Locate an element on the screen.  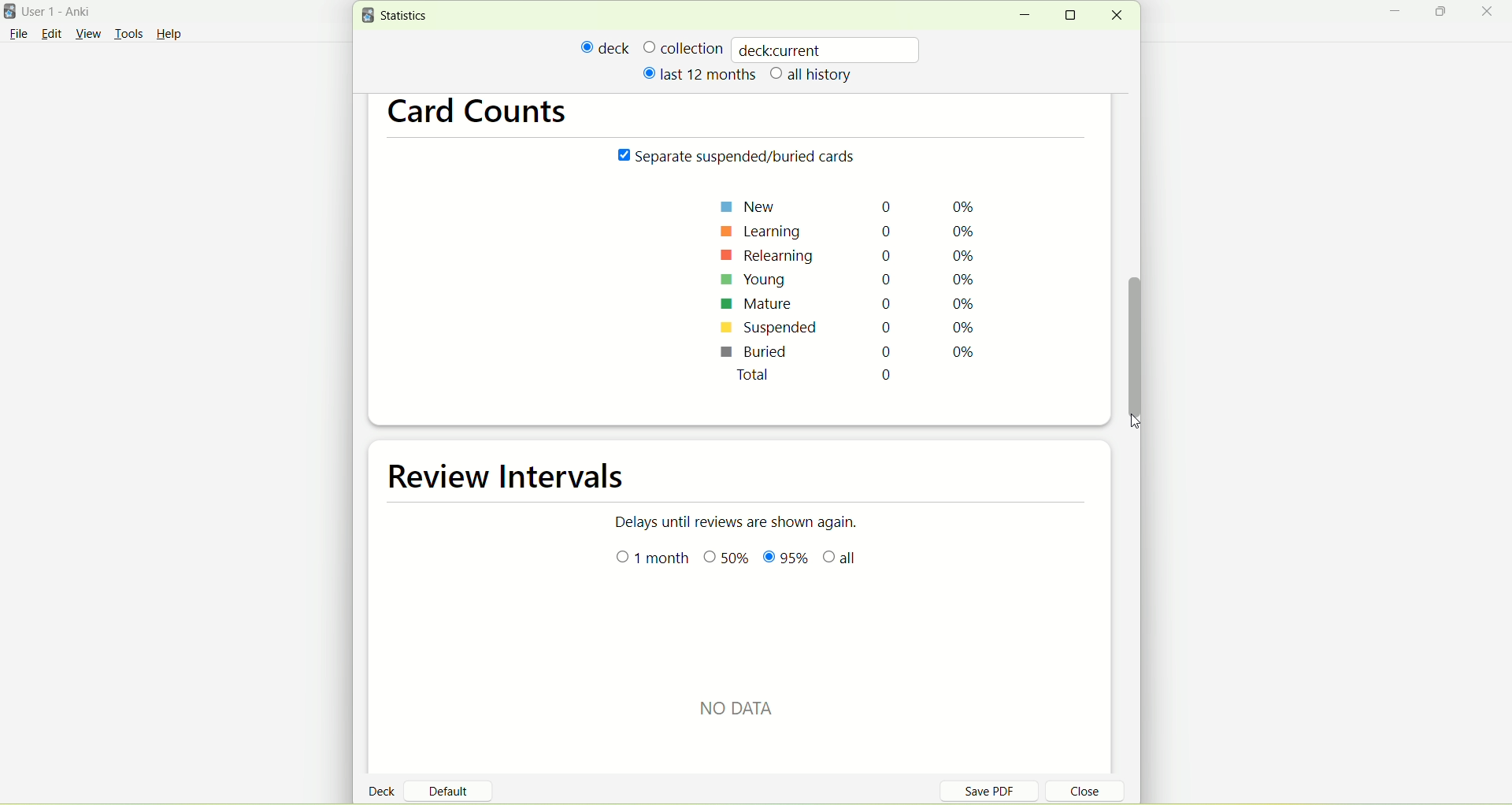
maximize is located at coordinates (1076, 15).